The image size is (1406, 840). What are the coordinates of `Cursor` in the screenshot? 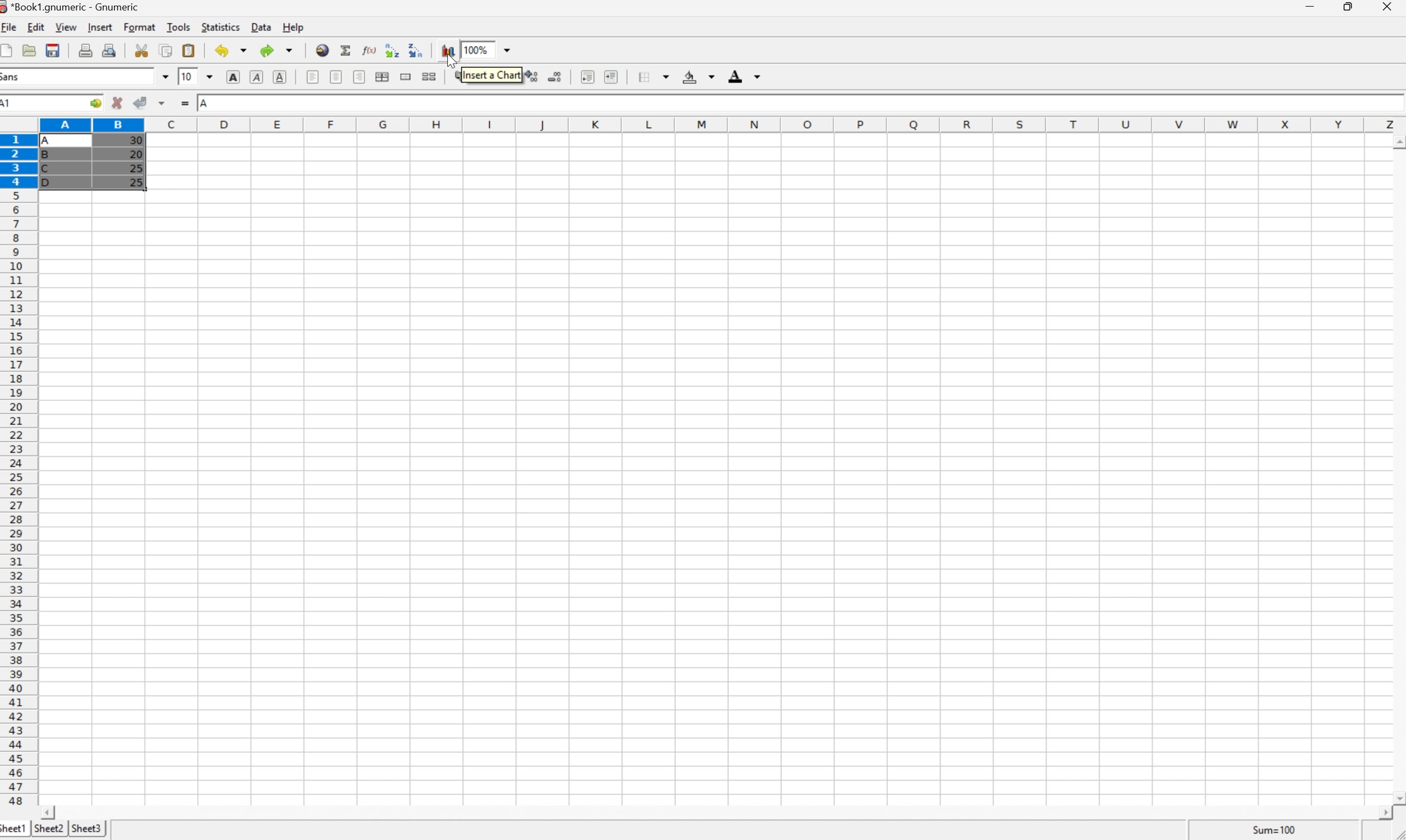 It's located at (450, 61).